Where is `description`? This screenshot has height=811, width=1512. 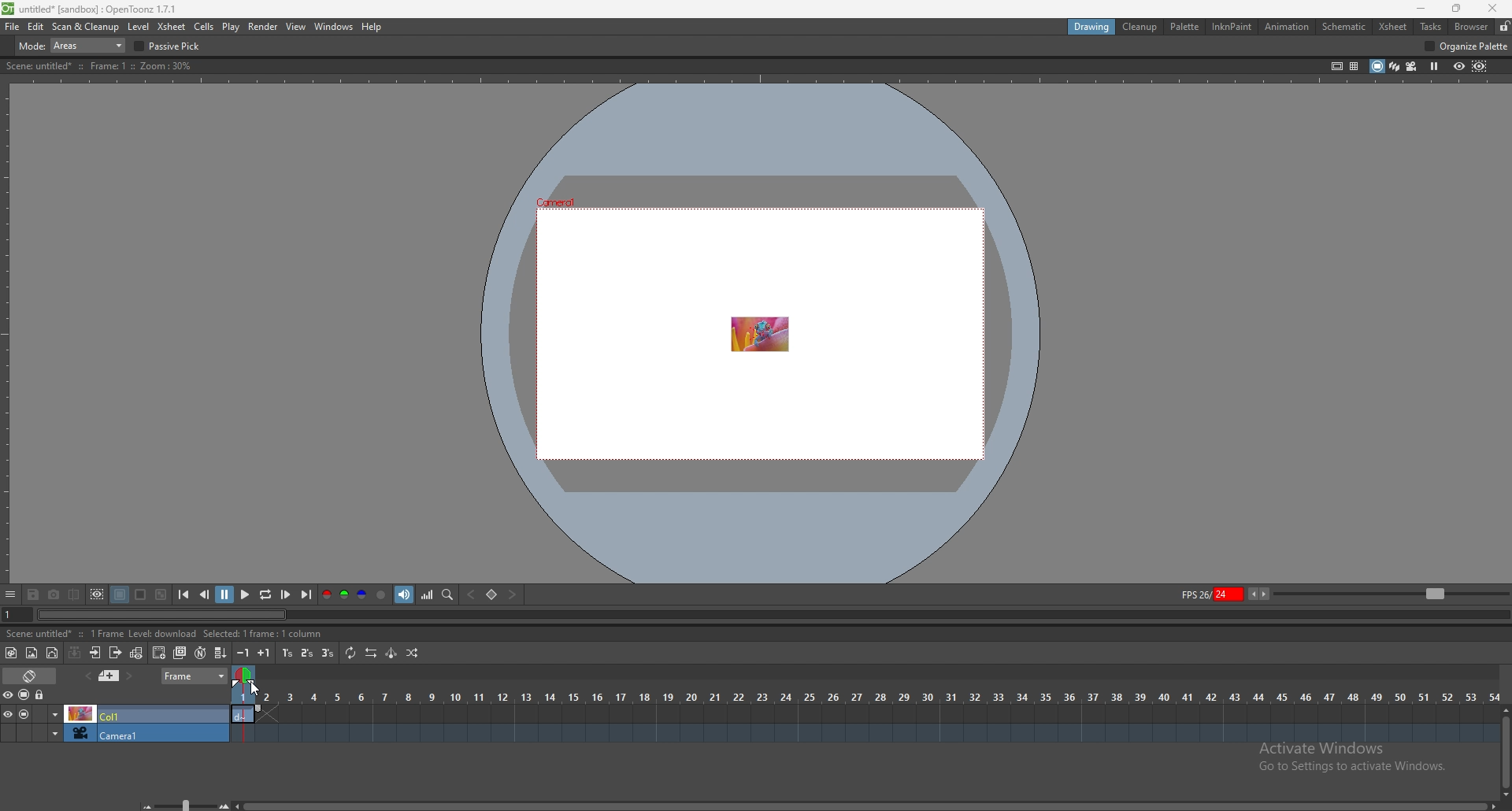 description is located at coordinates (101, 66).